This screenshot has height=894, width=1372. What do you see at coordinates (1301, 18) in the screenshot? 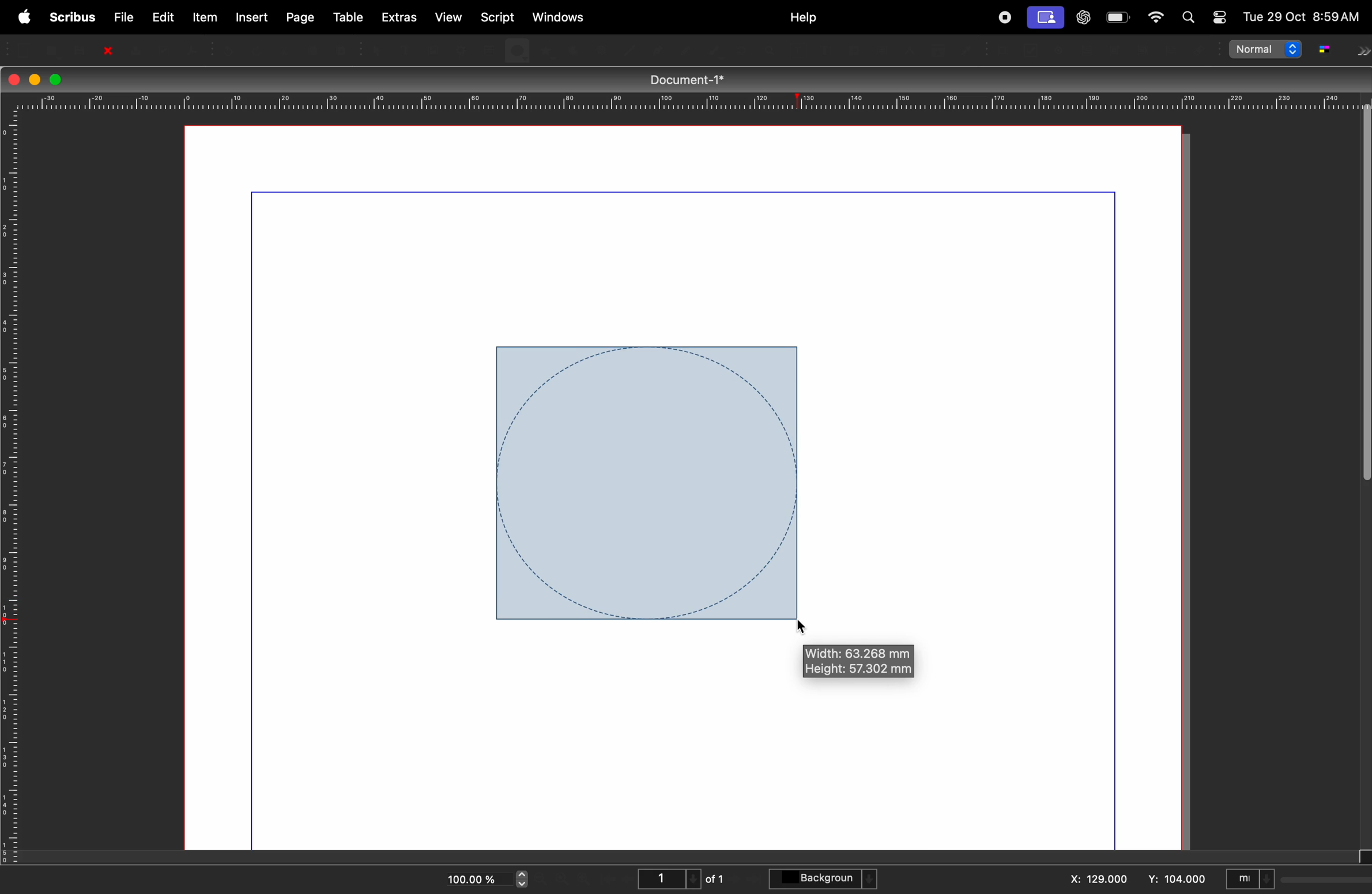
I see `Tue 29 Oct 8:59AM` at bounding box center [1301, 18].